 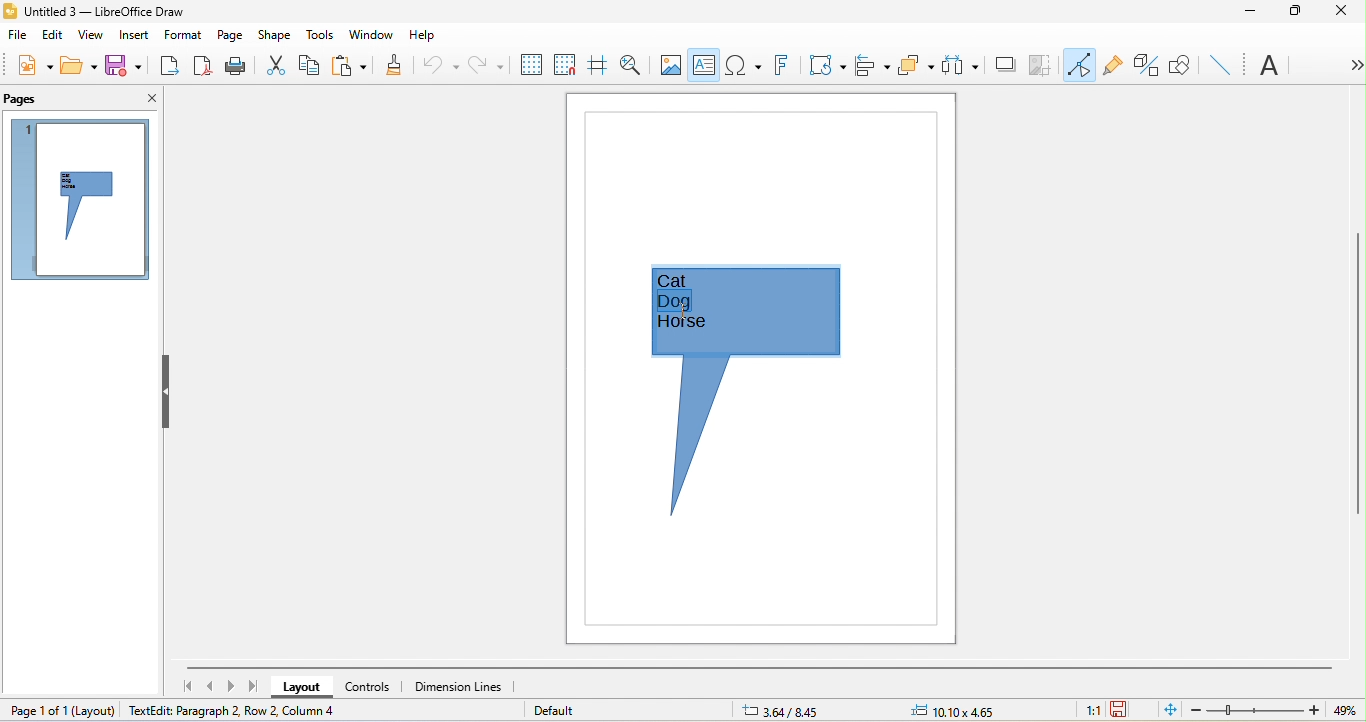 What do you see at coordinates (1343, 708) in the screenshot?
I see `49%` at bounding box center [1343, 708].